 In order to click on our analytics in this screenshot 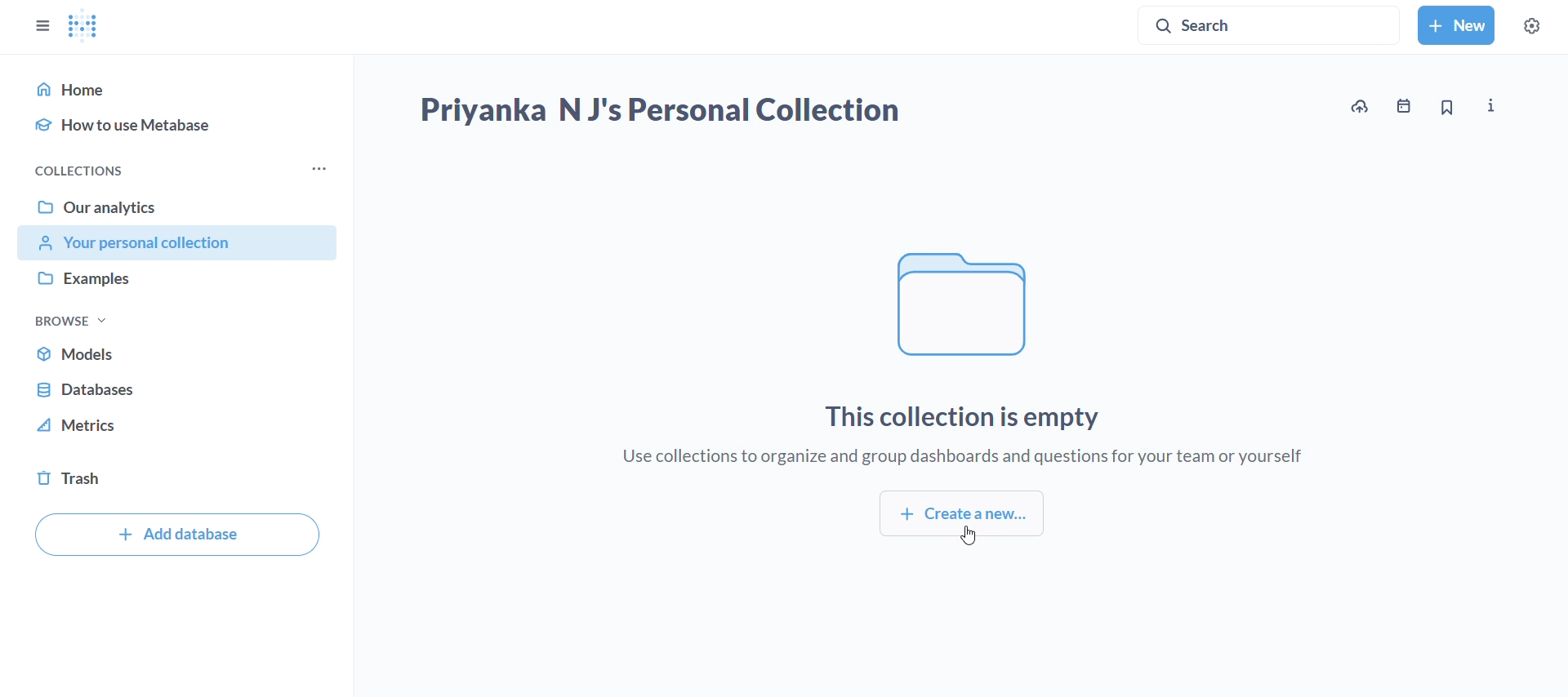, I will do `click(177, 206)`.